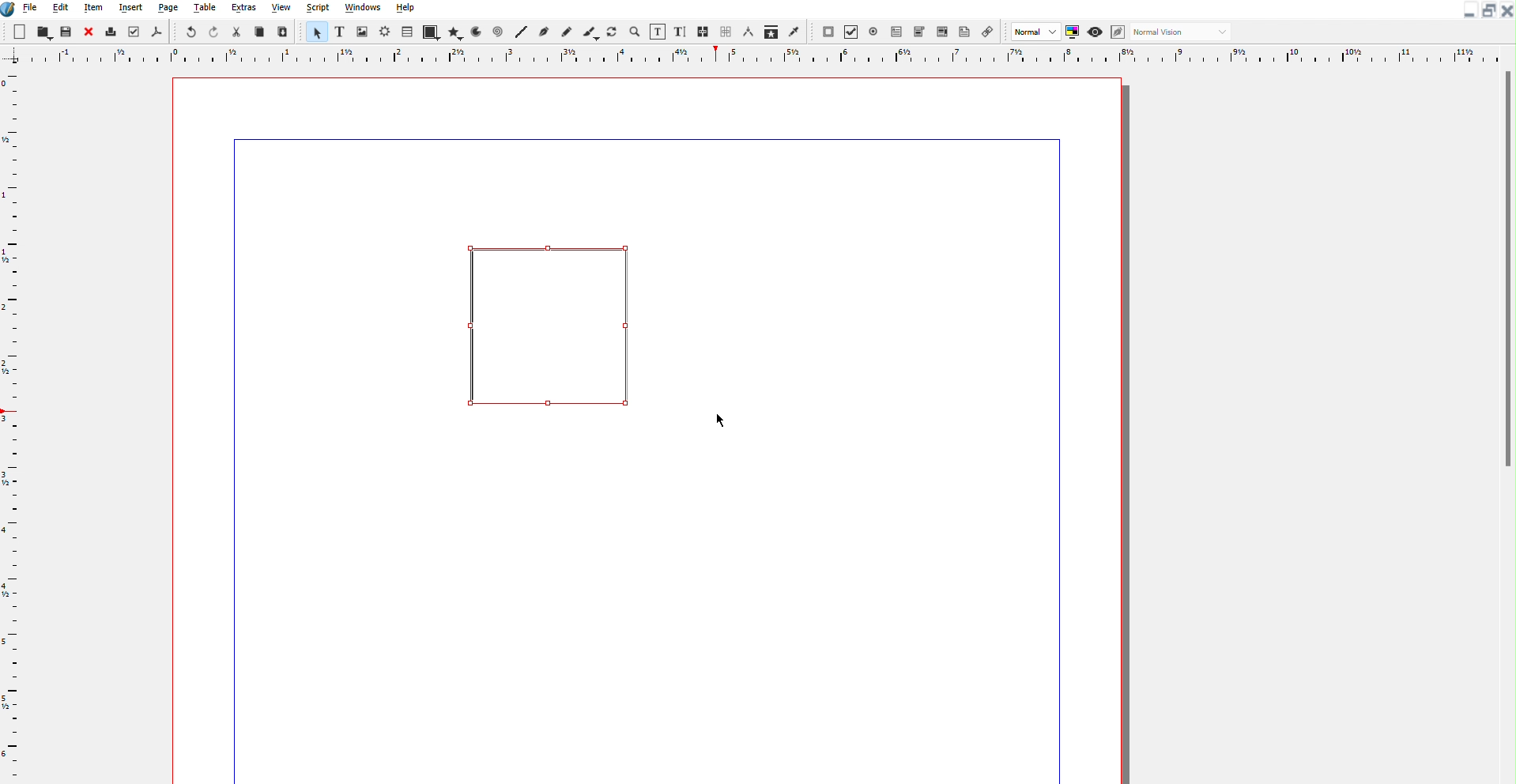 The height and width of the screenshot is (784, 1516). Describe the element at coordinates (758, 56) in the screenshot. I see `Ruler` at that location.